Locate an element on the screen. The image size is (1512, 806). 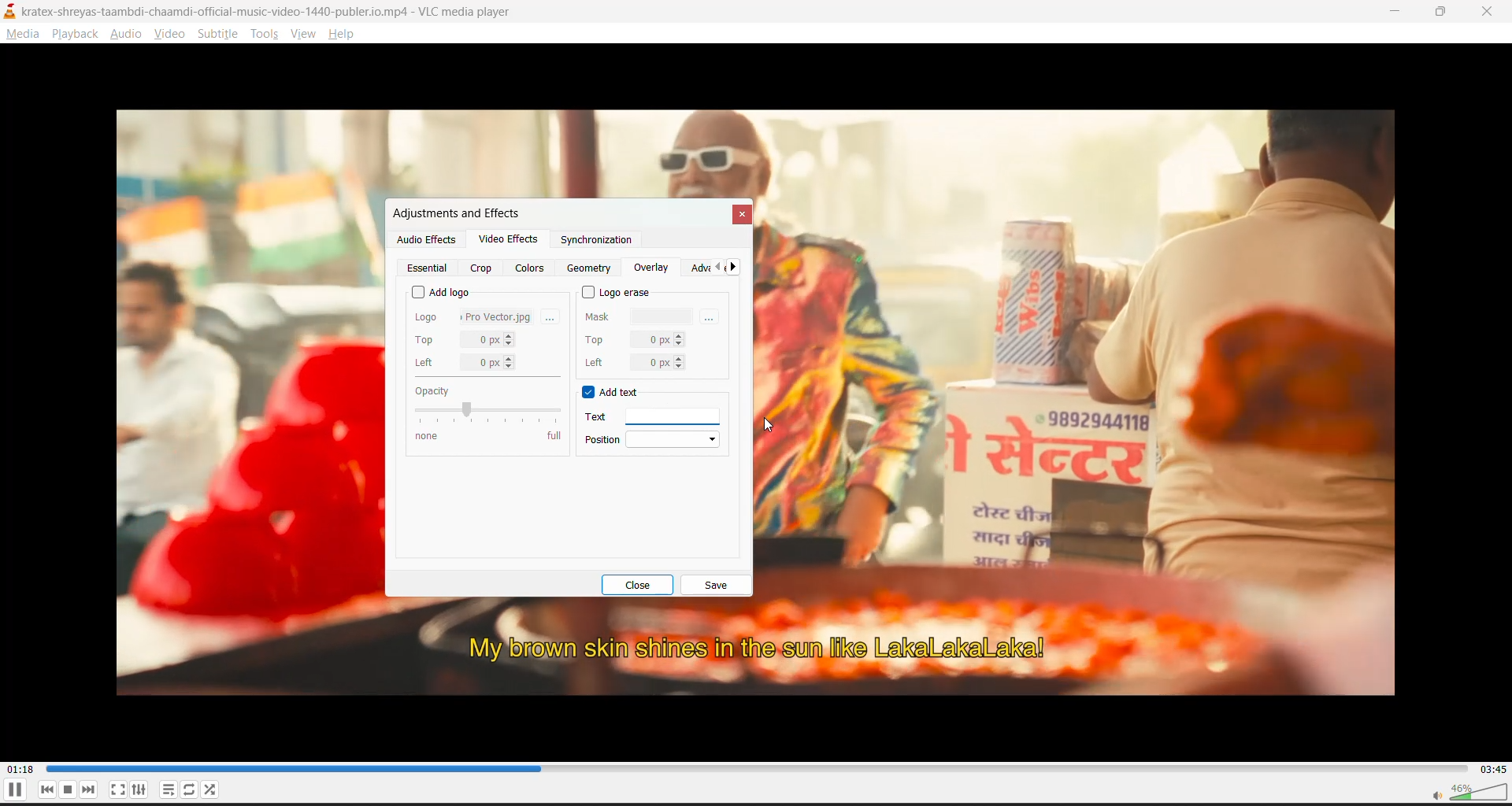
logo erase is located at coordinates (618, 292).